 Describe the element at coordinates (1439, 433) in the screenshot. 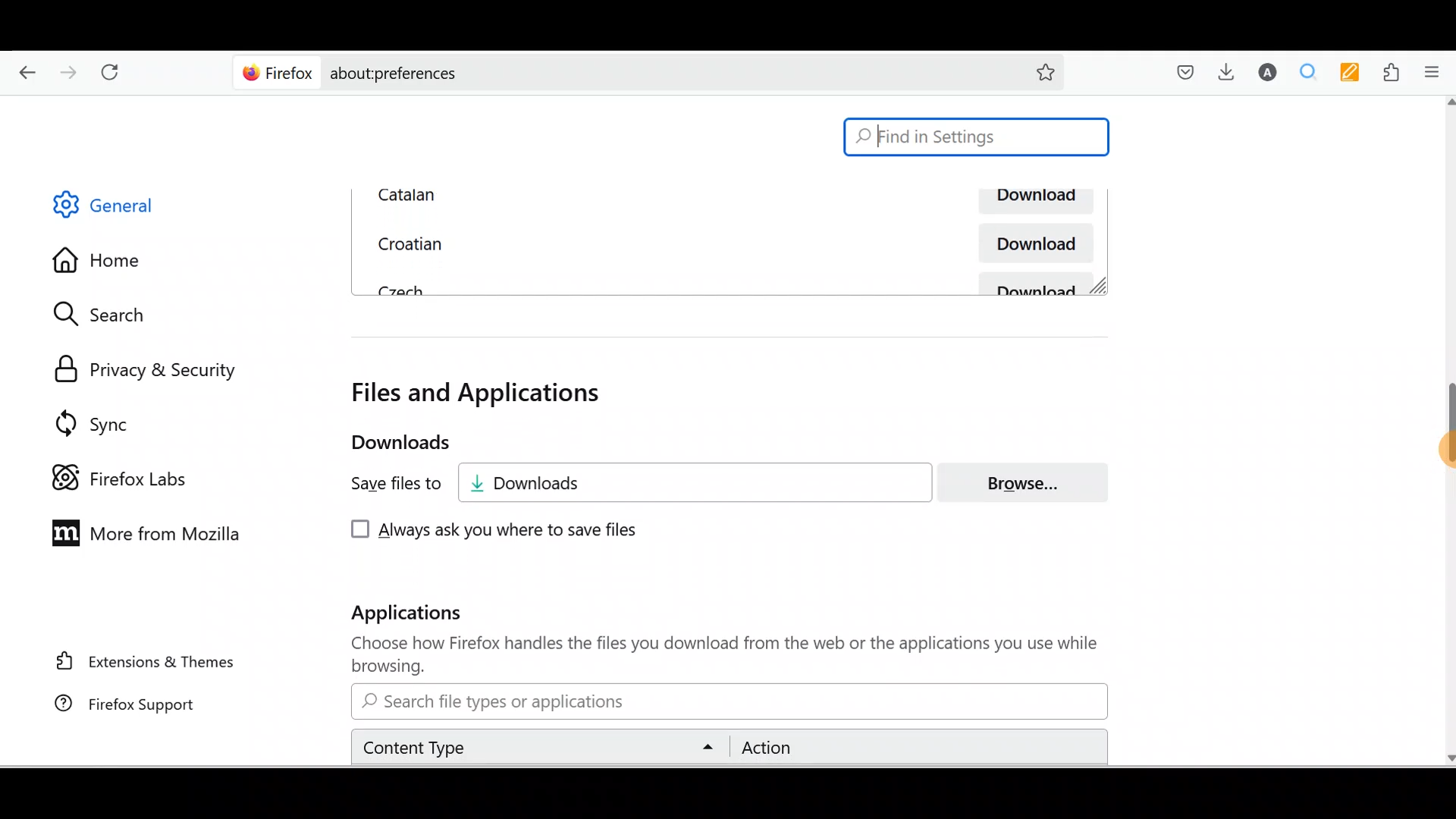

I see `Mouse up - scroll bar` at that location.